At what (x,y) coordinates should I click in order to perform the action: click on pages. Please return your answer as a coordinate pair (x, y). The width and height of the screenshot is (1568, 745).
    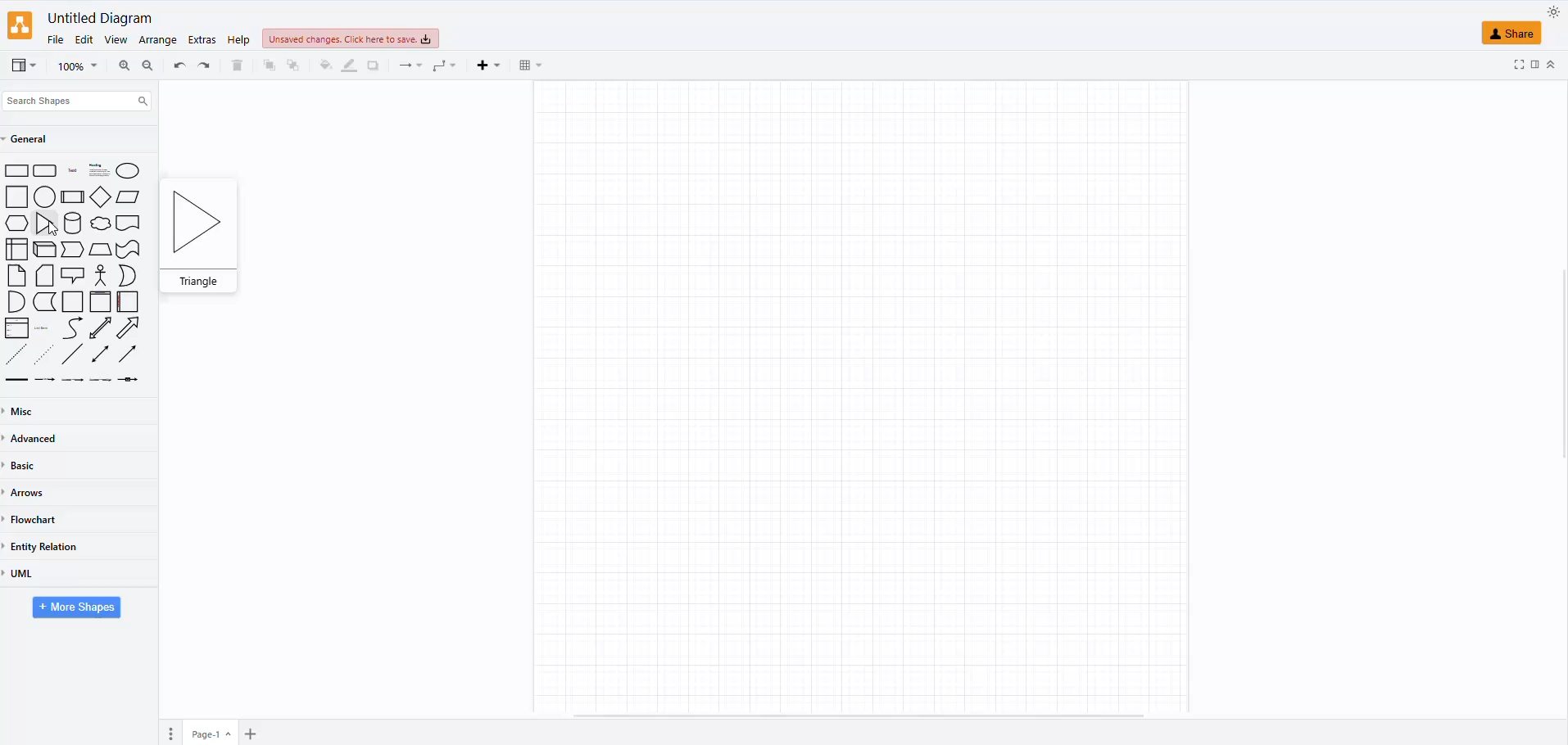
    Looking at the image, I should click on (169, 734).